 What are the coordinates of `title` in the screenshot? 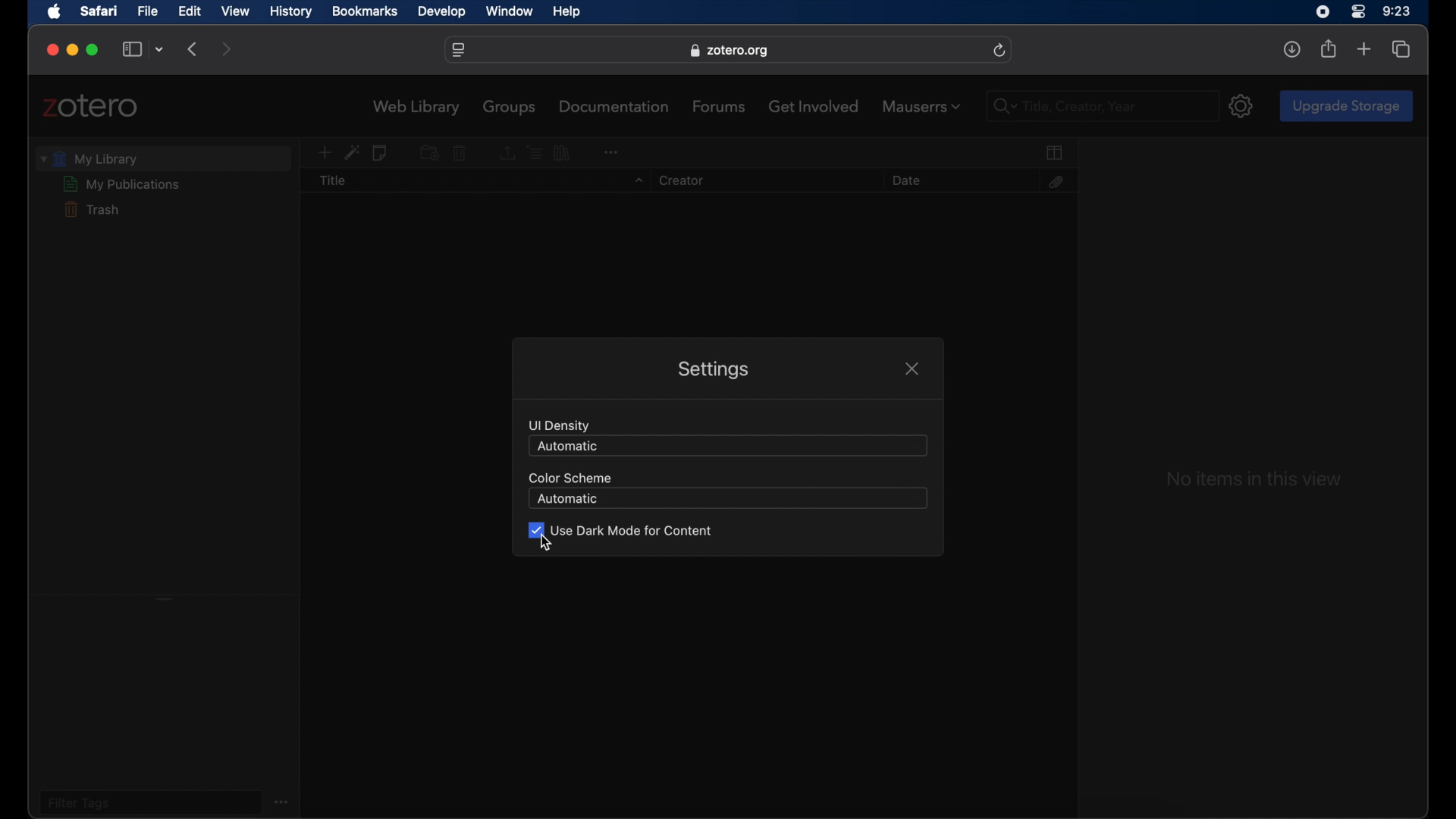 It's located at (333, 181).